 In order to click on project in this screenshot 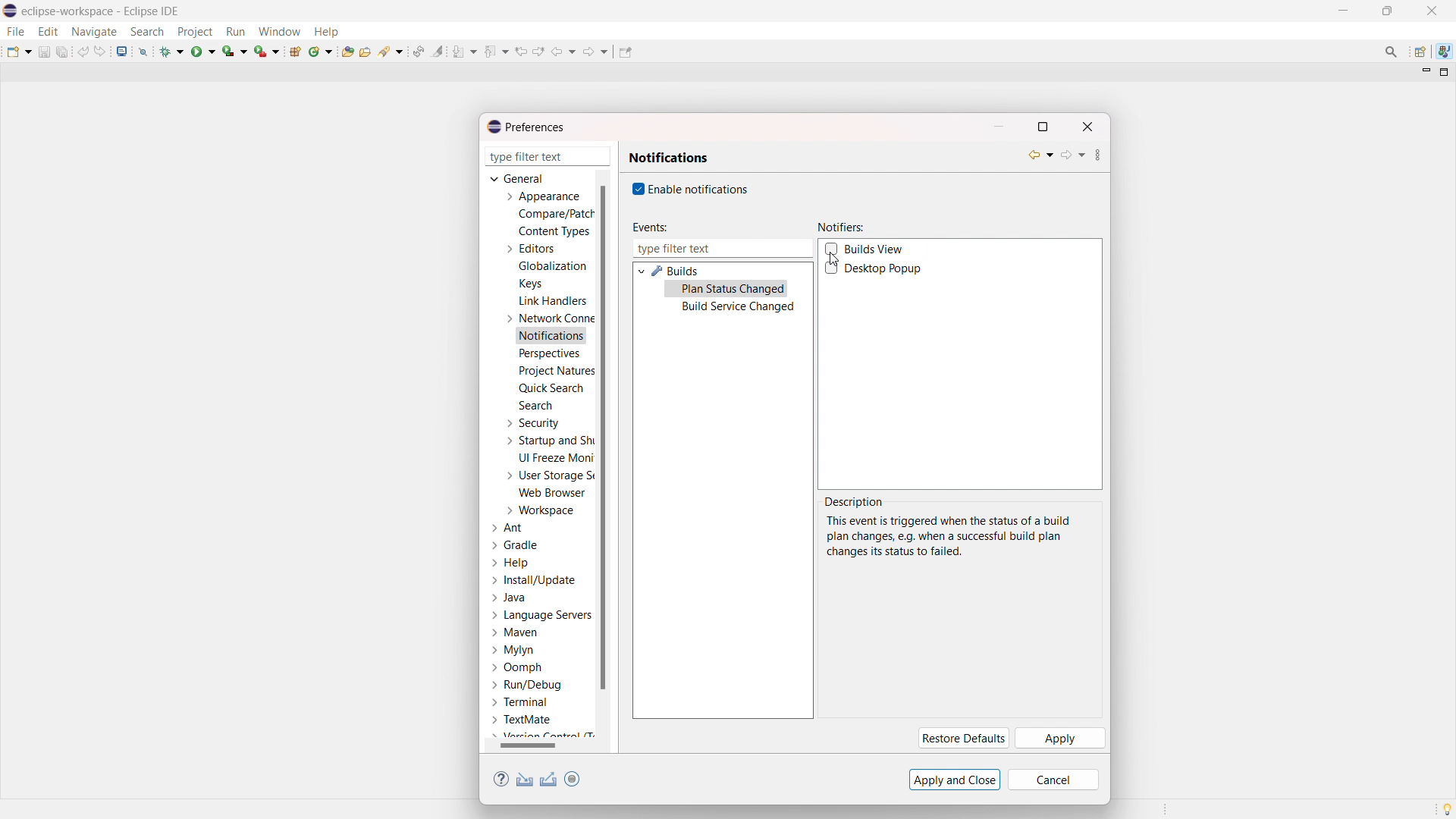, I will do `click(194, 32)`.